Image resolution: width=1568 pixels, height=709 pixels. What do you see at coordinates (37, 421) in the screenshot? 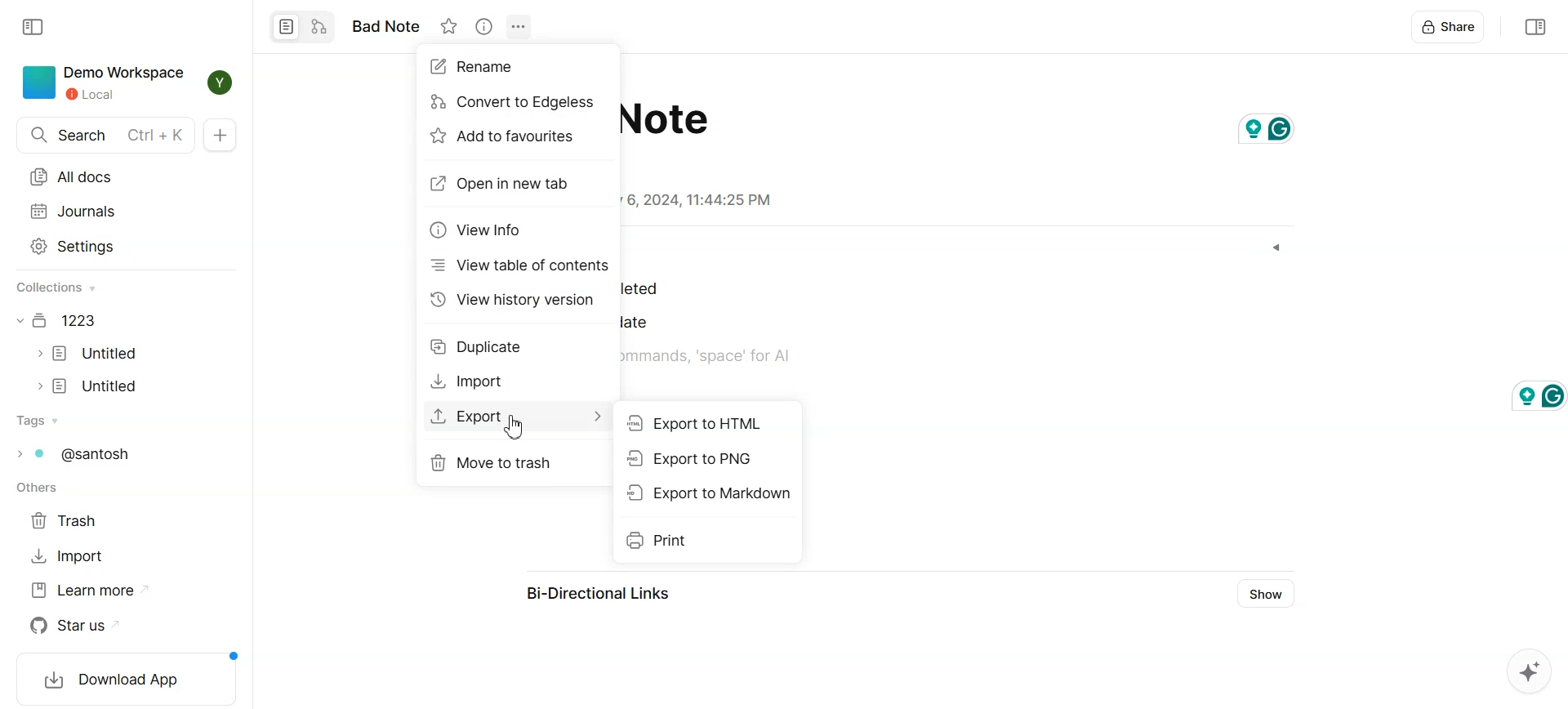
I see `Tags` at bounding box center [37, 421].